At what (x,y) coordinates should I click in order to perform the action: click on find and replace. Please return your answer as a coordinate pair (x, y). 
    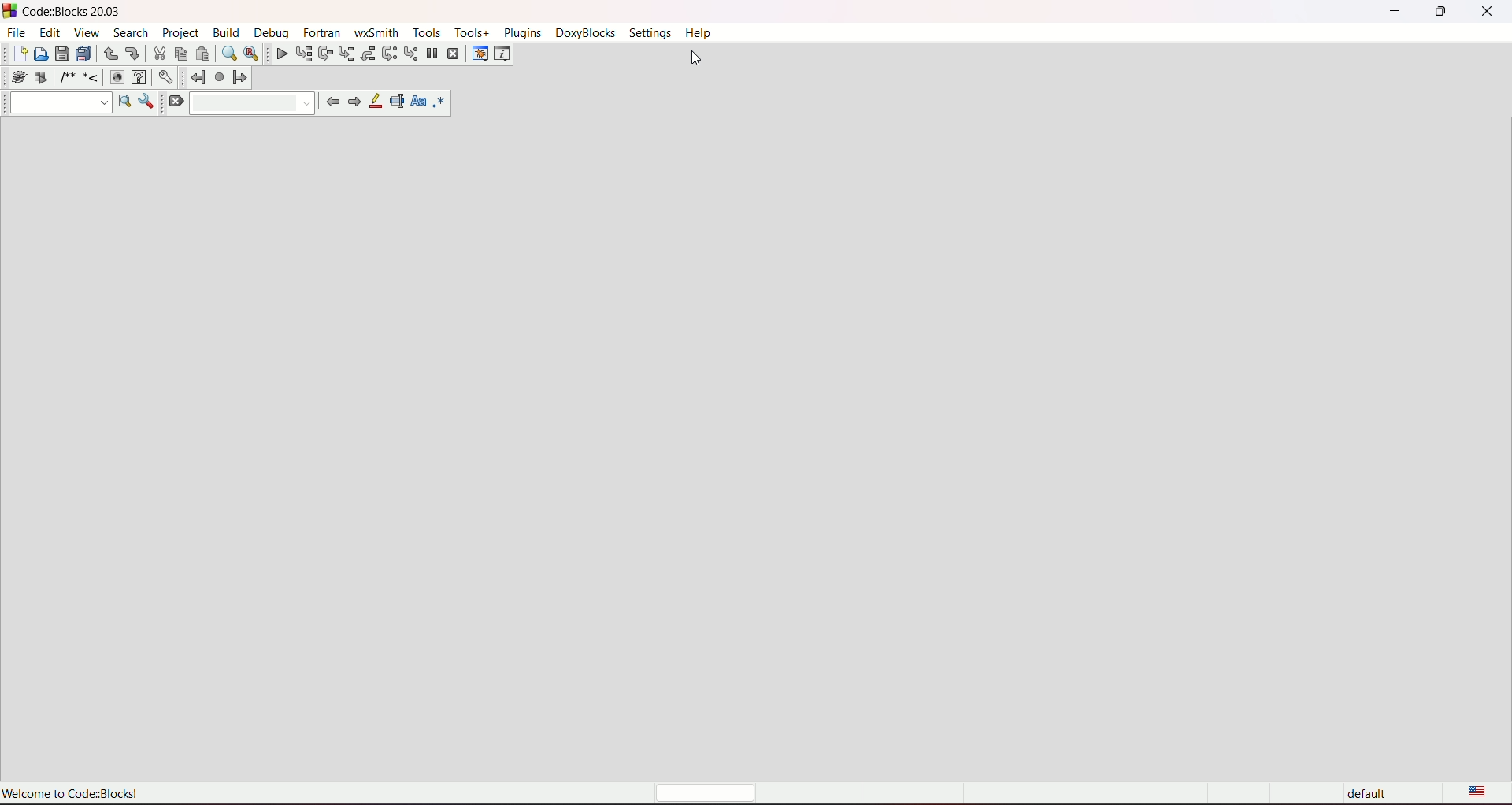
    Looking at the image, I should click on (254, 54).